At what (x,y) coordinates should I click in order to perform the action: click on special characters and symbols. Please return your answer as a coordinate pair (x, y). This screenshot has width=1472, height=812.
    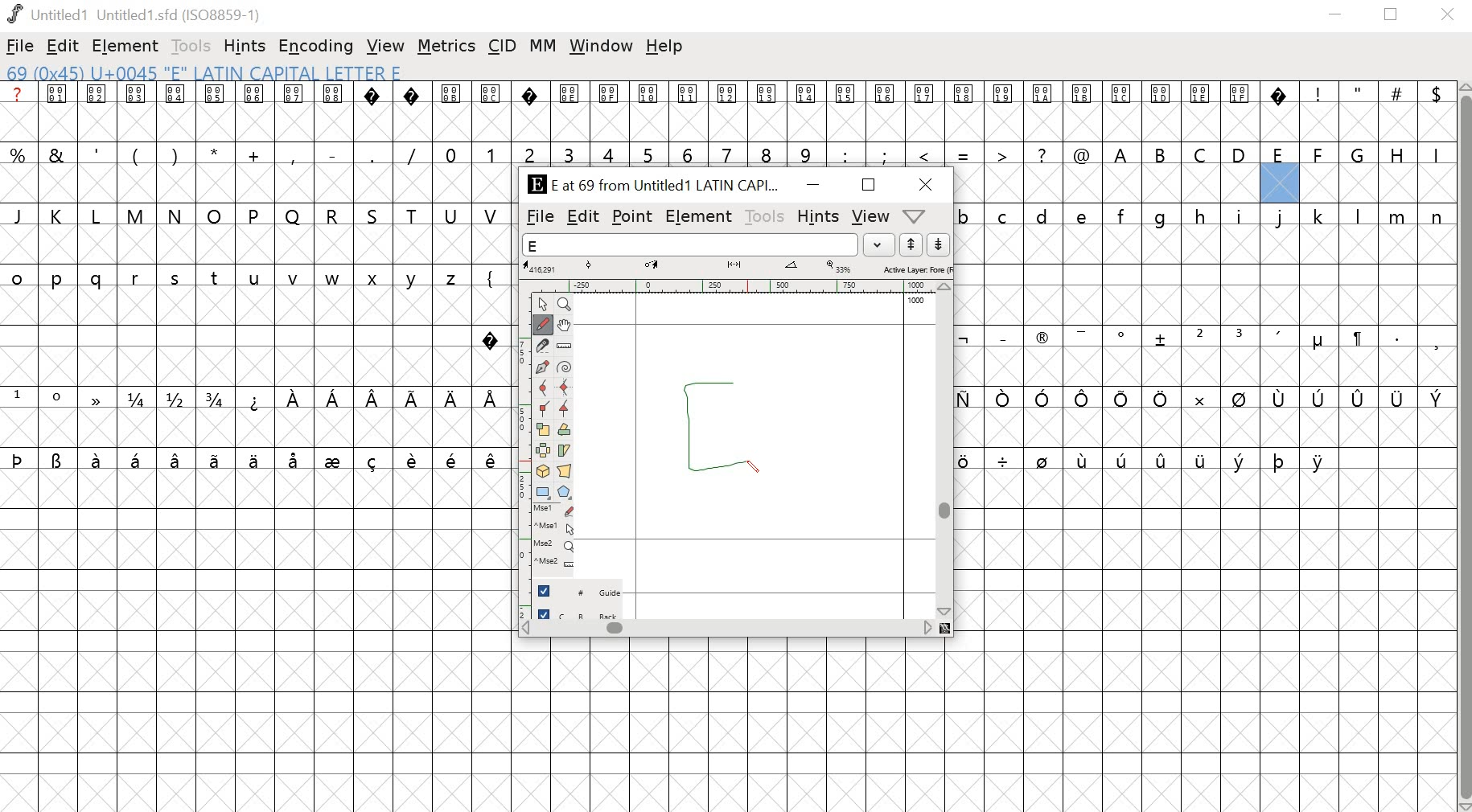
    Looking at the image, I should click on (1205, 338).